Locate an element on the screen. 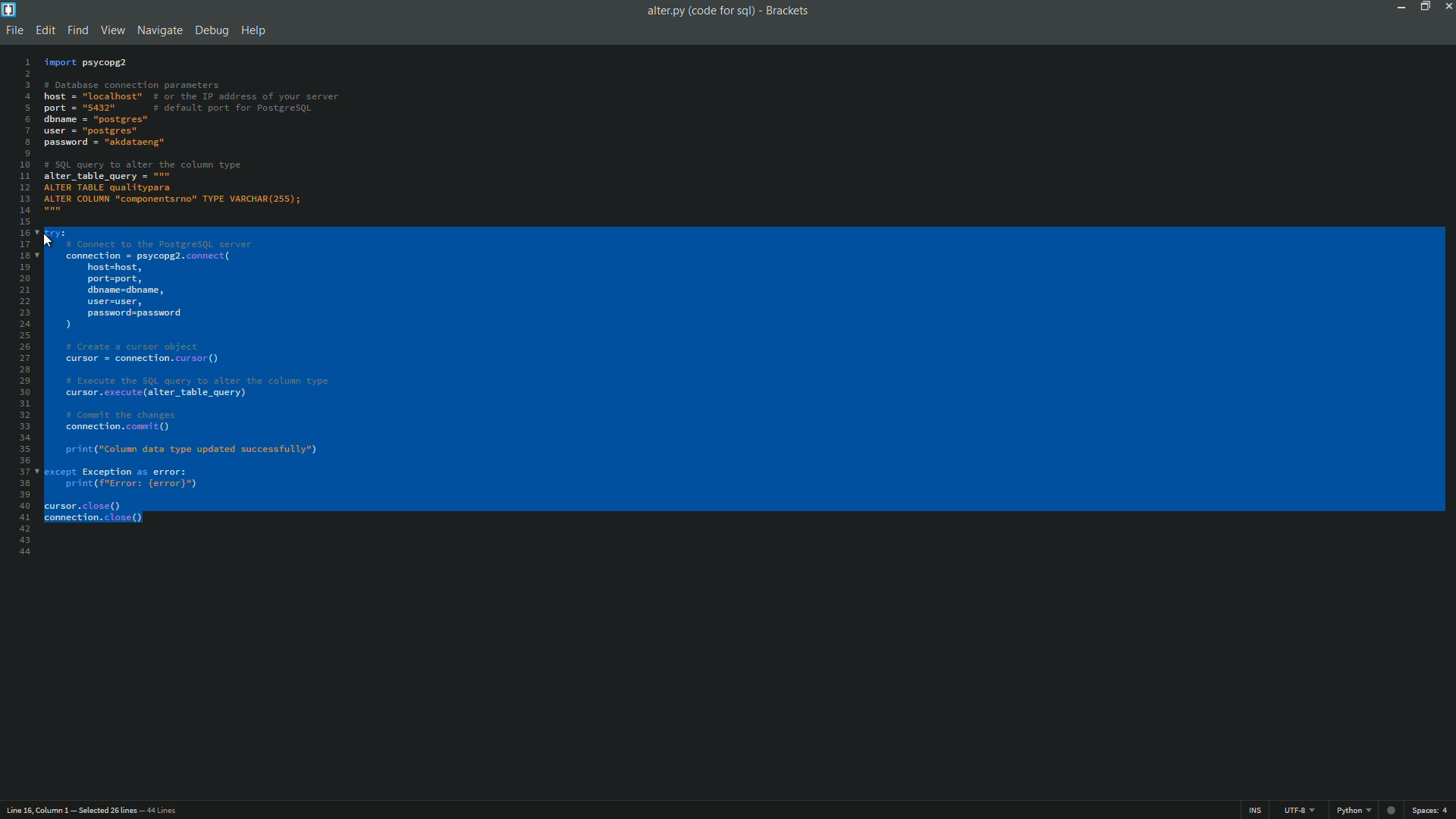 The image size is (1456, 819). close app is located at coordinates (1447, 7).